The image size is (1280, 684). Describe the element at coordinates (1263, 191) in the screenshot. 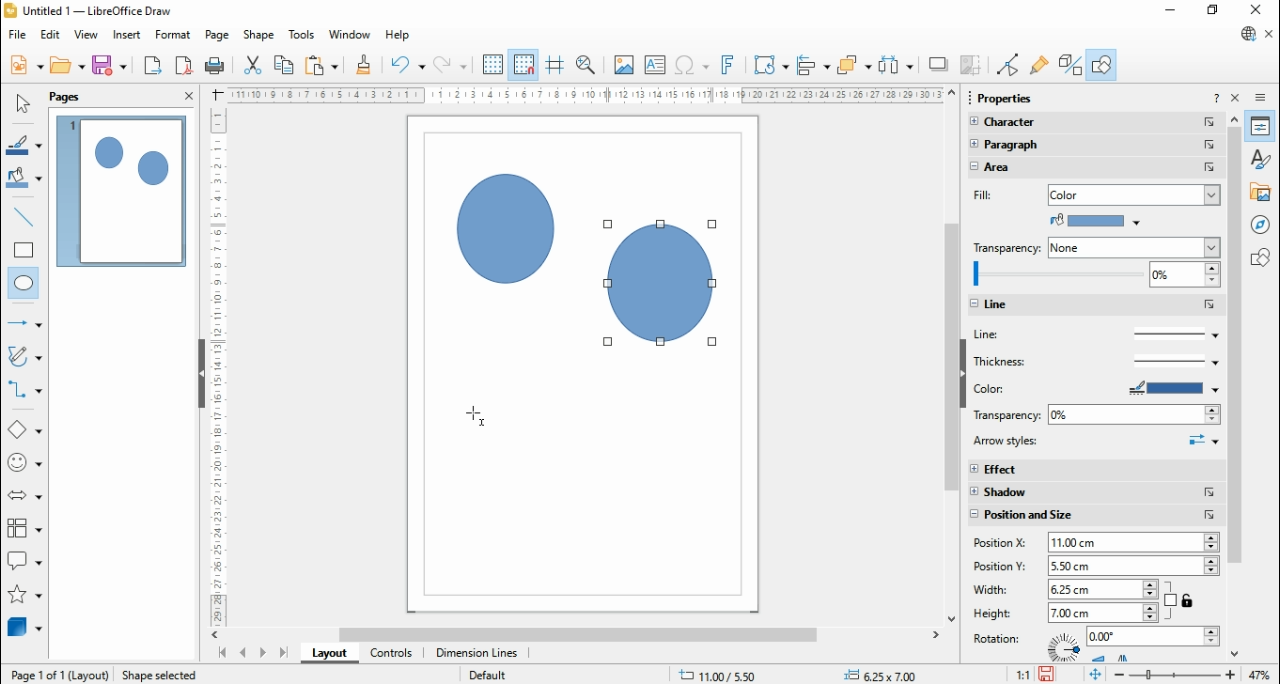

I see `gallery` at that location.